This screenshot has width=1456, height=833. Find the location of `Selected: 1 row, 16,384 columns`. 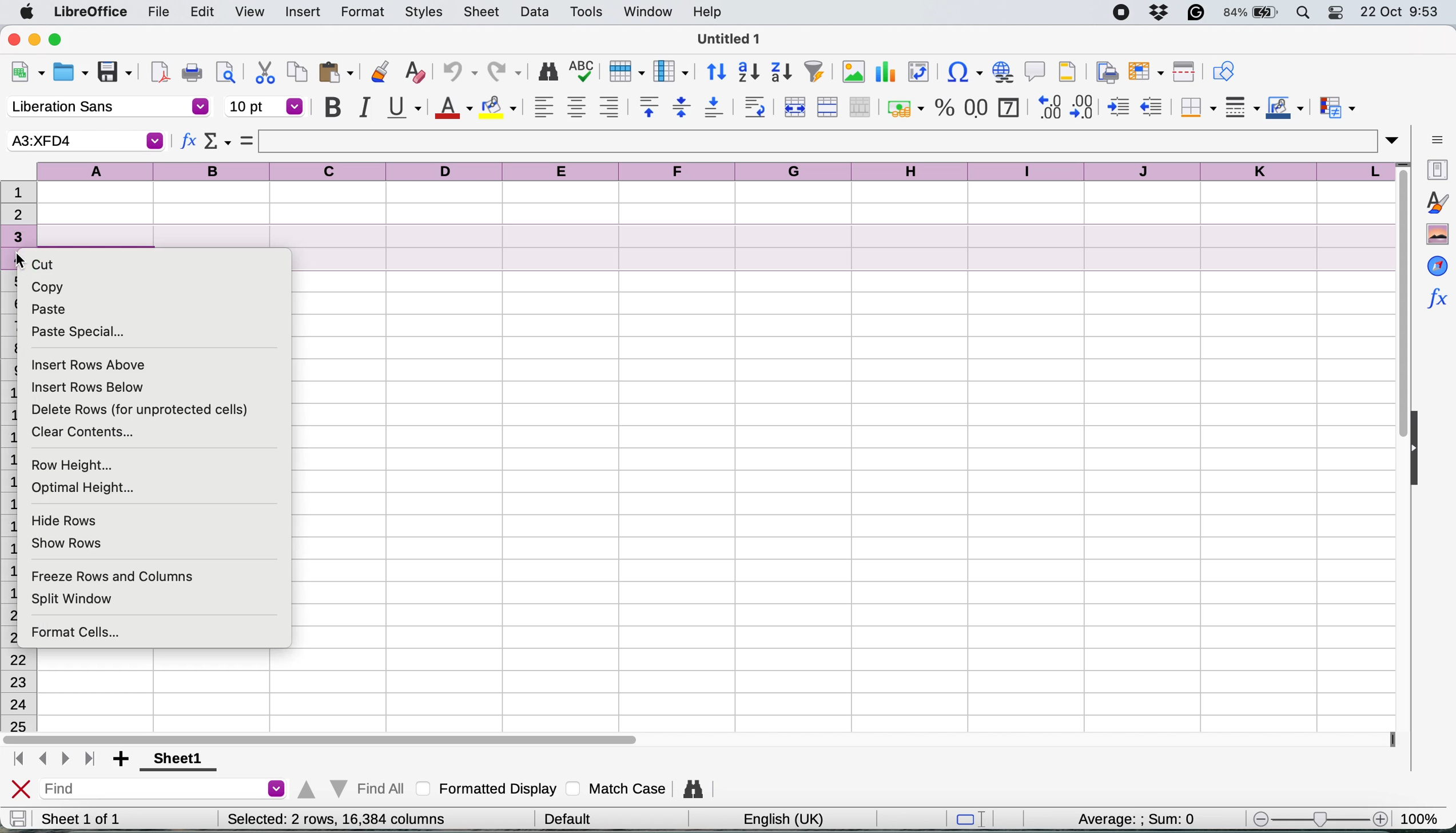

Selected: 1 row, 16,384 columns is located at coordinates (332, 819).